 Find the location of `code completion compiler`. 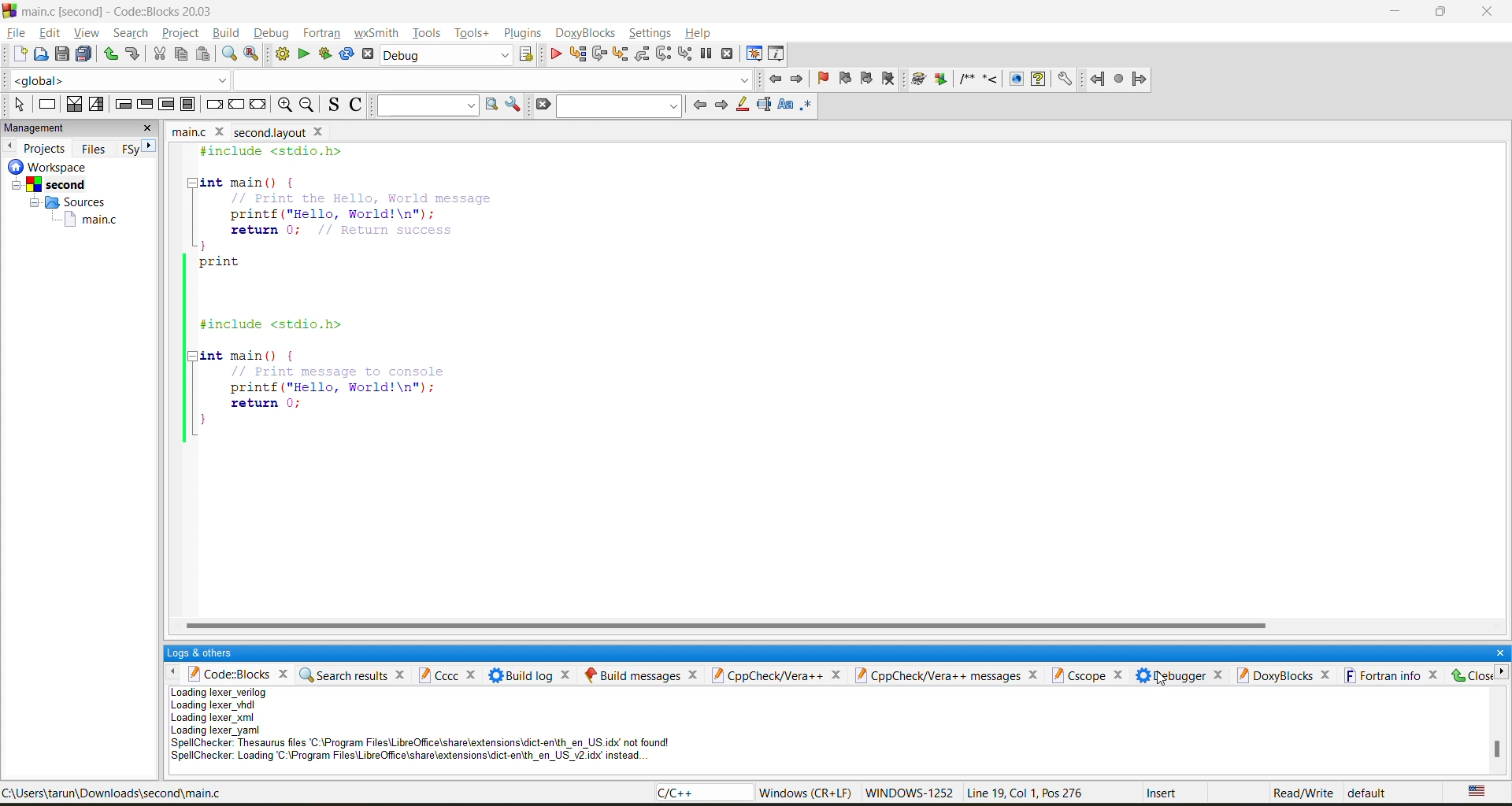

code completion compiler is located at coordinates (375, 81).